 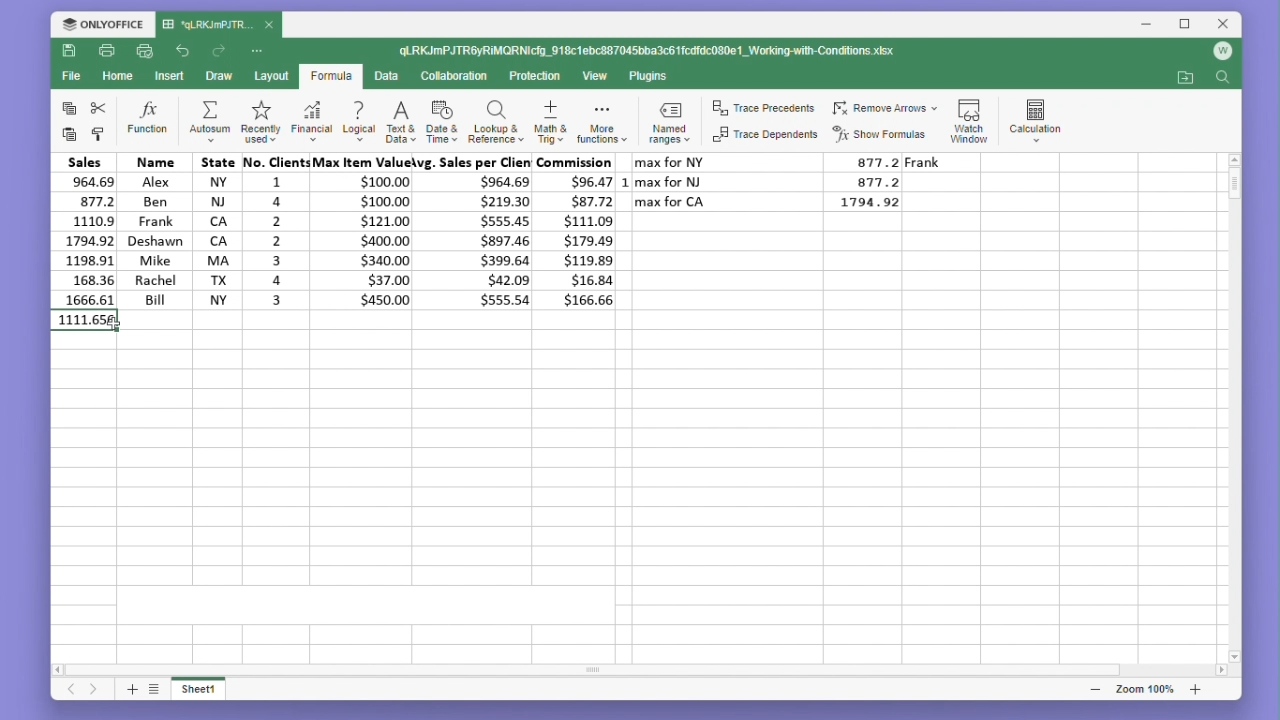 I want to click on Next sheet, so click(x=95, y=691).